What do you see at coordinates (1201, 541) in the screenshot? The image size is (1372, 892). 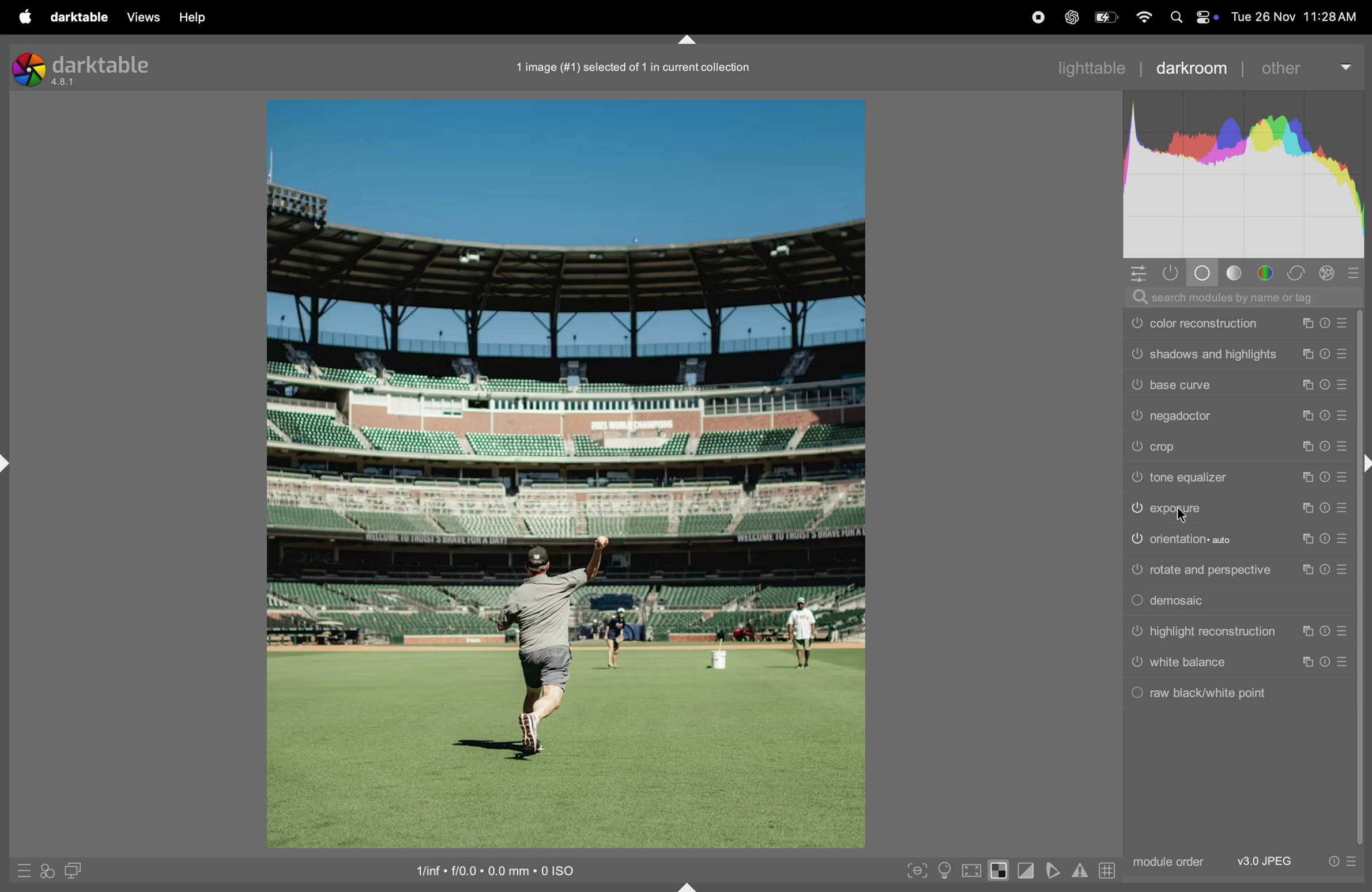 I see `orientation` at bounding box center [1201, 541].